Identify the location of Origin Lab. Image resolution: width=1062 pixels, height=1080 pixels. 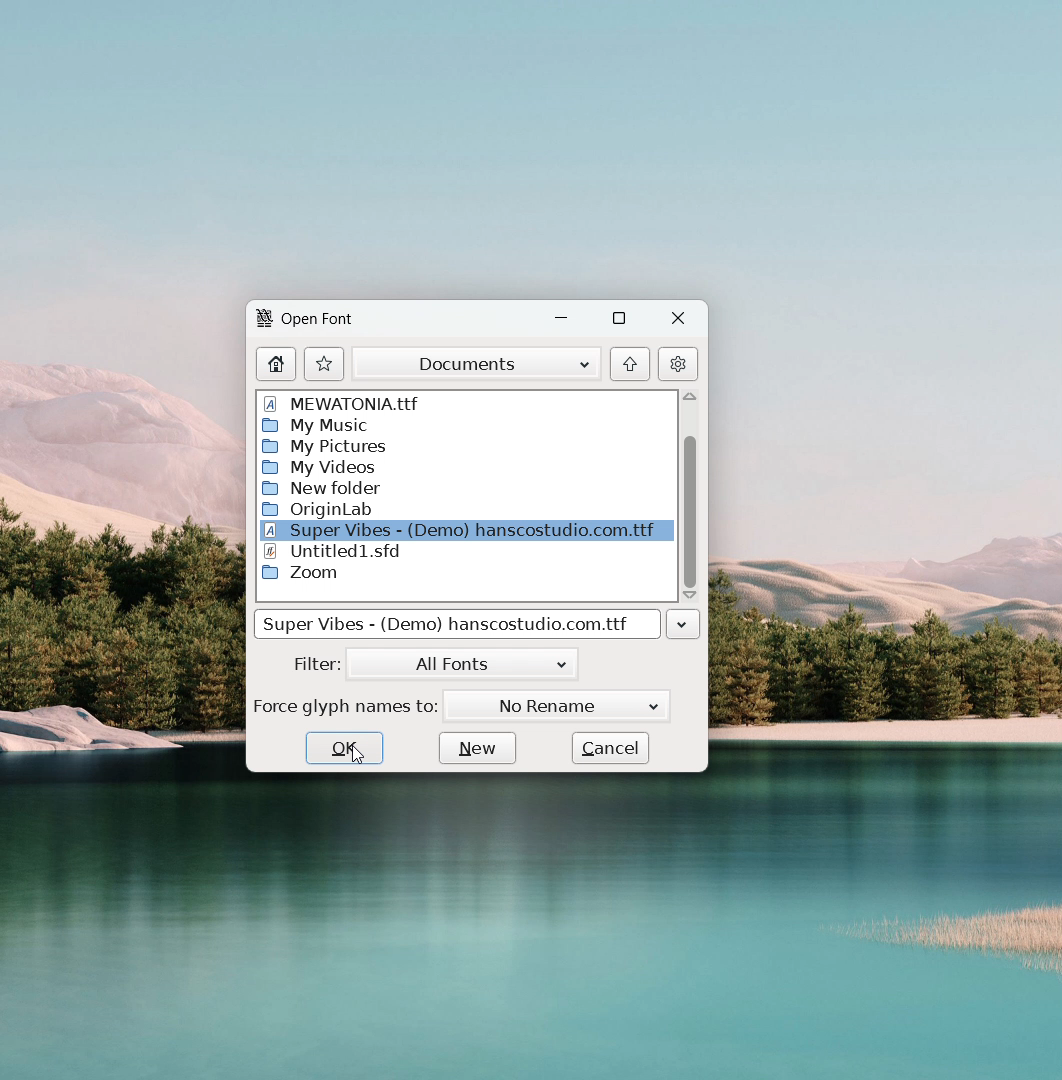
(319, 511).